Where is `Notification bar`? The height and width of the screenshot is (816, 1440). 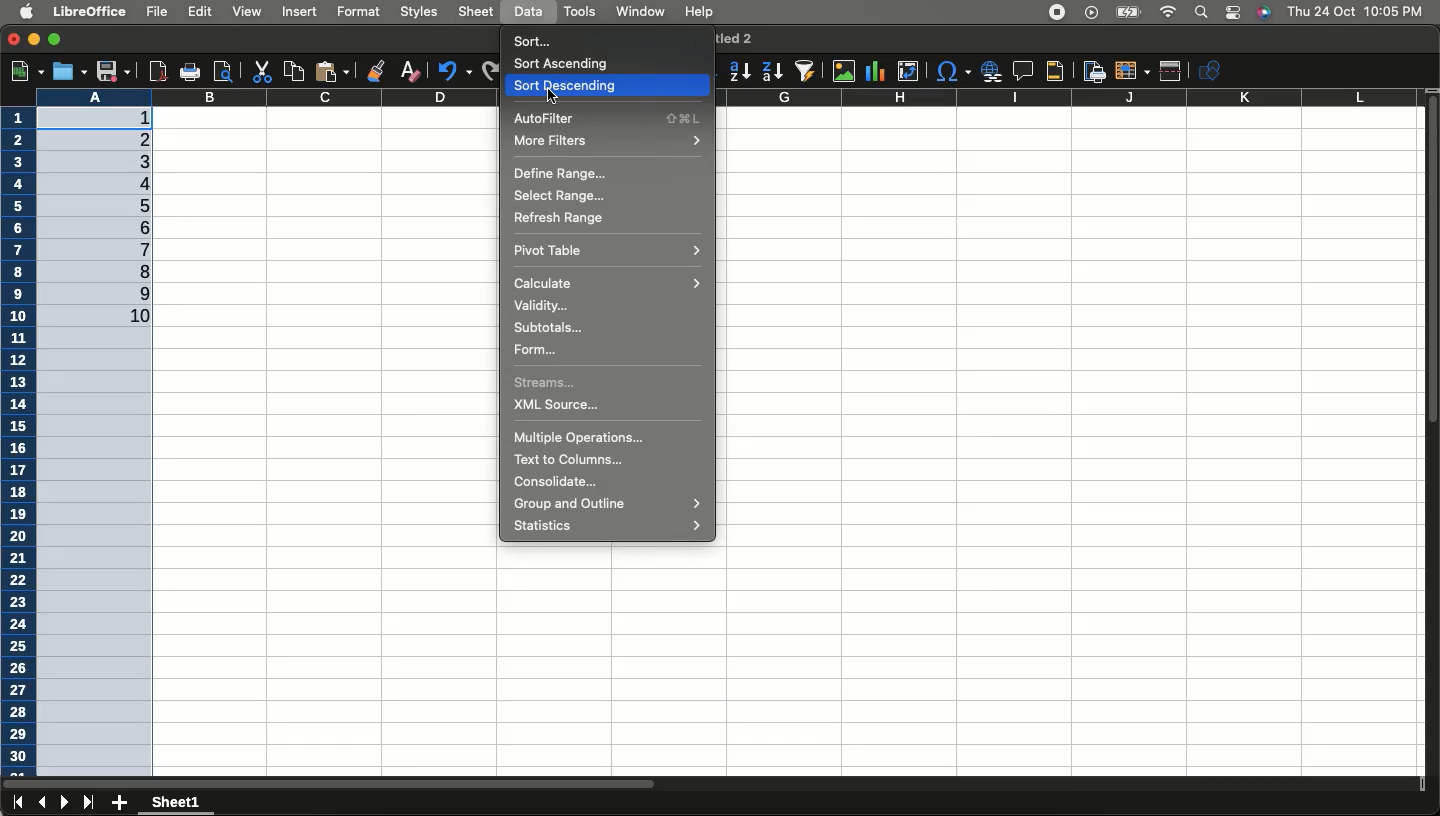 Notification bar is located at coordinates (1232, 14).